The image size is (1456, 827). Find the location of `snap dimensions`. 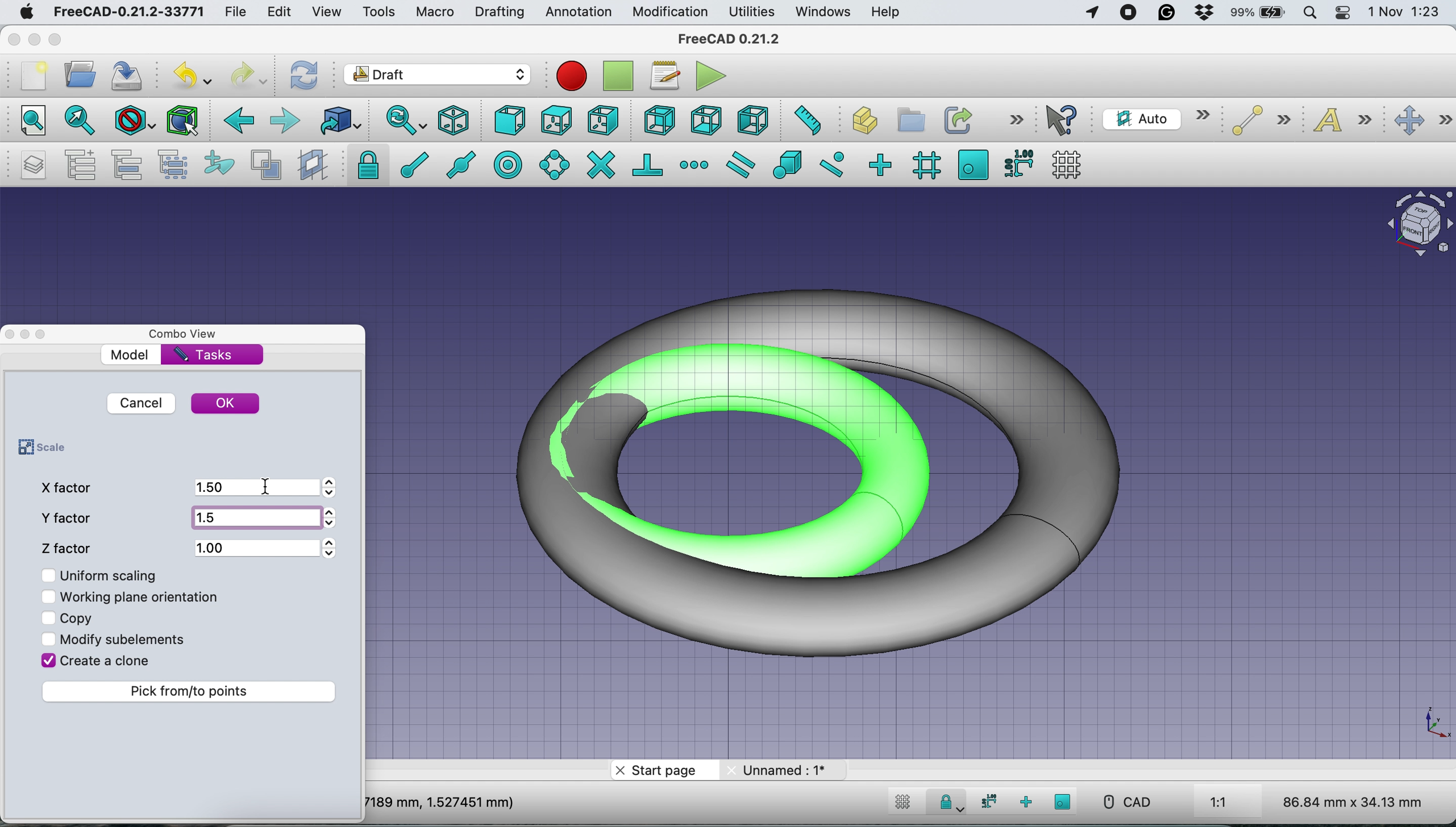

snap dimensions is located at coordinates (1017, 163).